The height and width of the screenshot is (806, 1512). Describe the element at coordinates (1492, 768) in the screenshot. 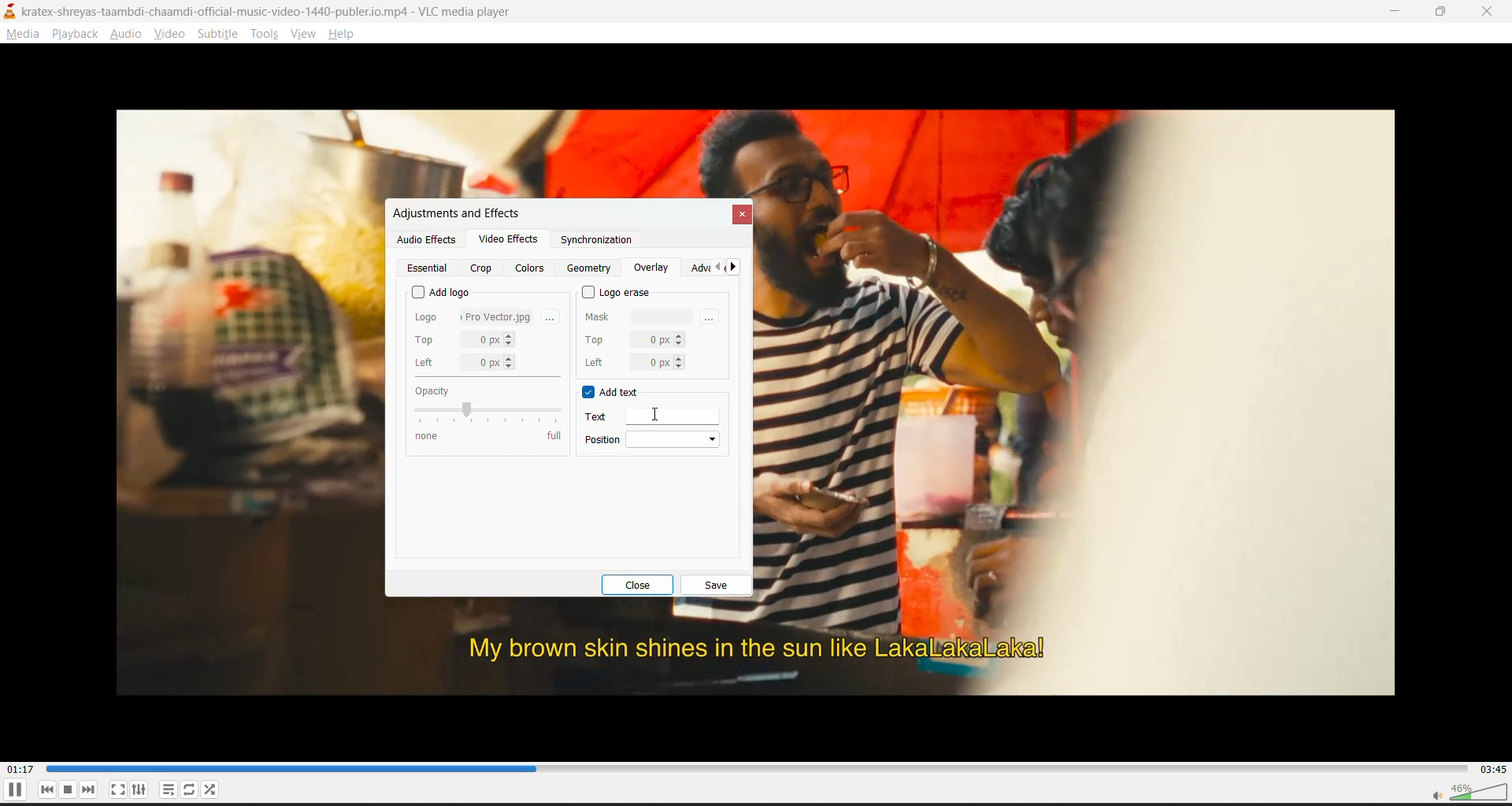

I see `total track time` at that location.